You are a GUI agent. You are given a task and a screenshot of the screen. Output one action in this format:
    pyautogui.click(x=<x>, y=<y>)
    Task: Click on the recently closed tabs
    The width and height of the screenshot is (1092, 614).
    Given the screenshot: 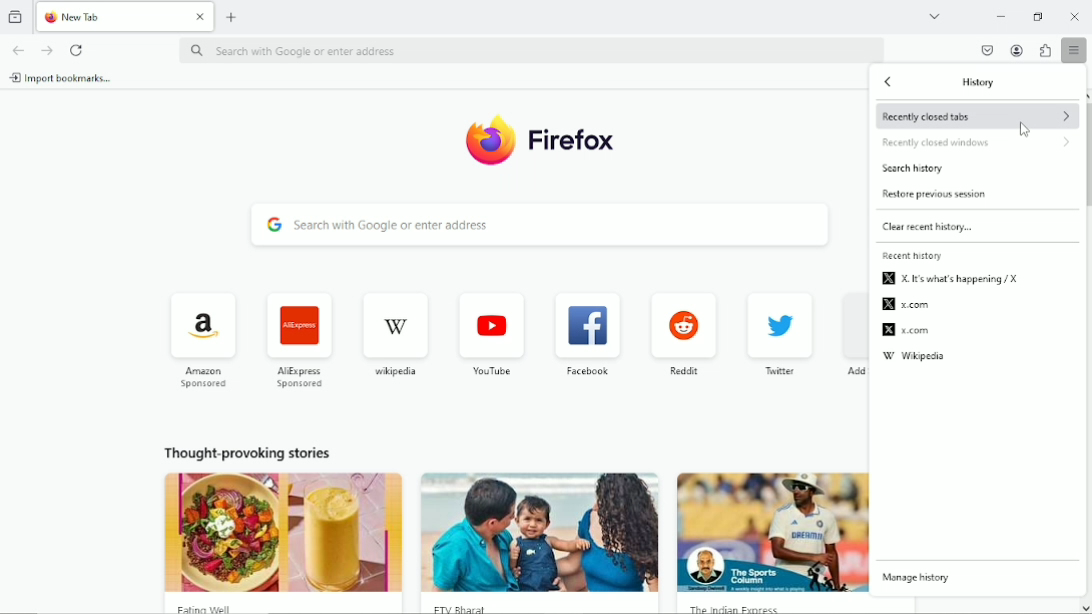 What is the action you would take?
    pyautogui.click(x=978, y=116)
    